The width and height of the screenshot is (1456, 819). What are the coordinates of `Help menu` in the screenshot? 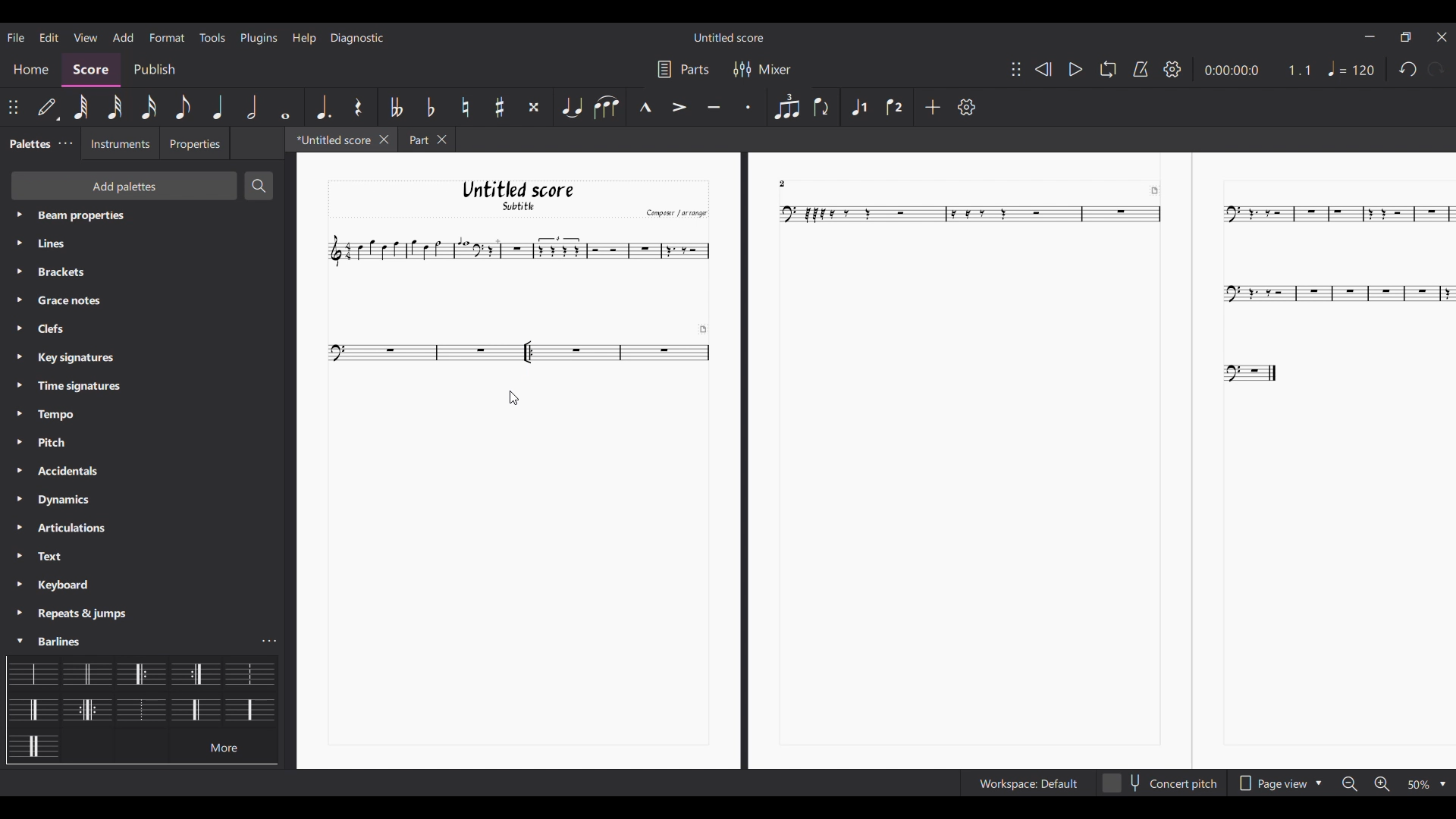 It's located at (304, 38).